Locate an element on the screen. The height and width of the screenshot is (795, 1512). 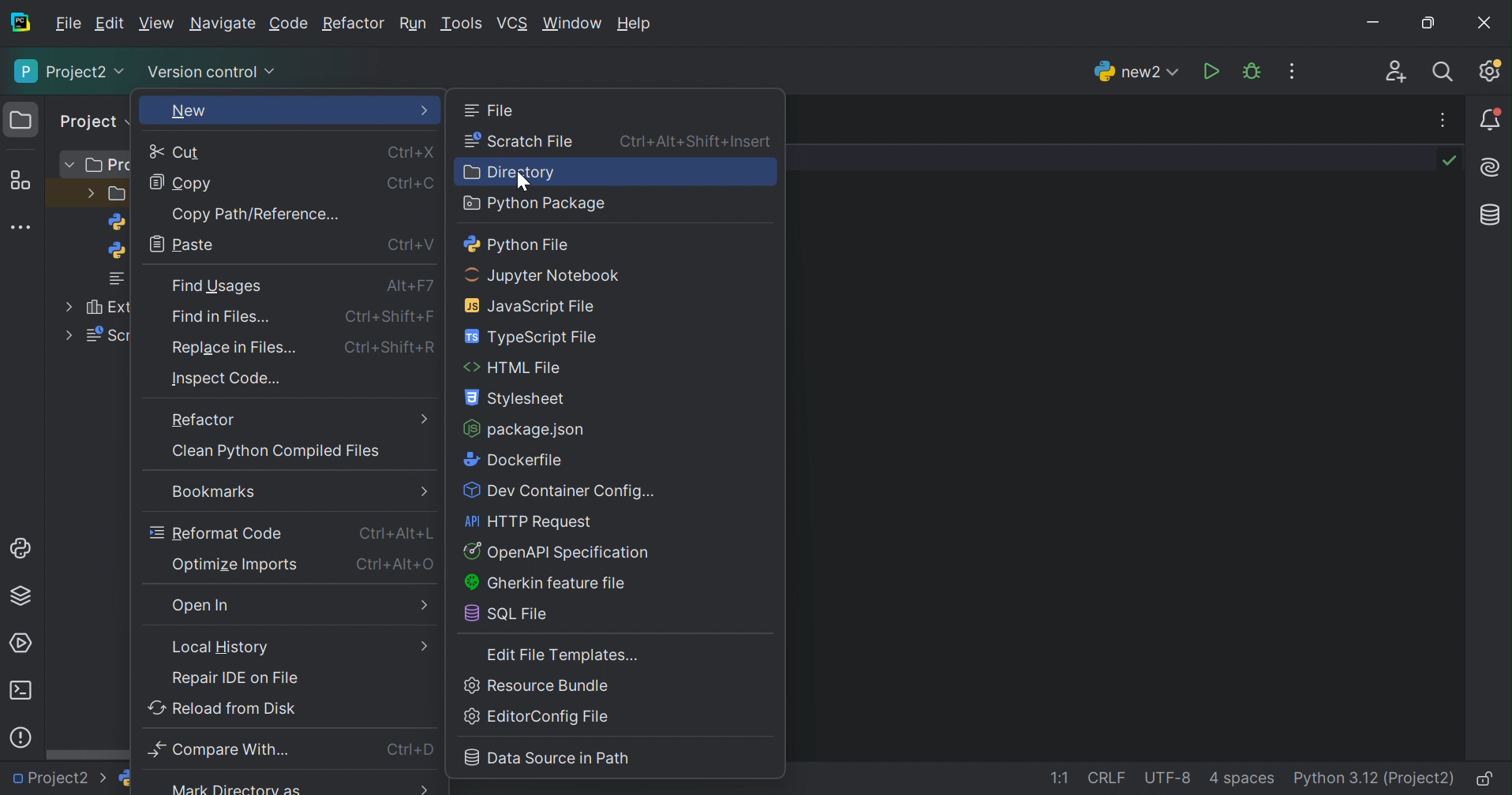
Problems is located at coordinates (21, 738).